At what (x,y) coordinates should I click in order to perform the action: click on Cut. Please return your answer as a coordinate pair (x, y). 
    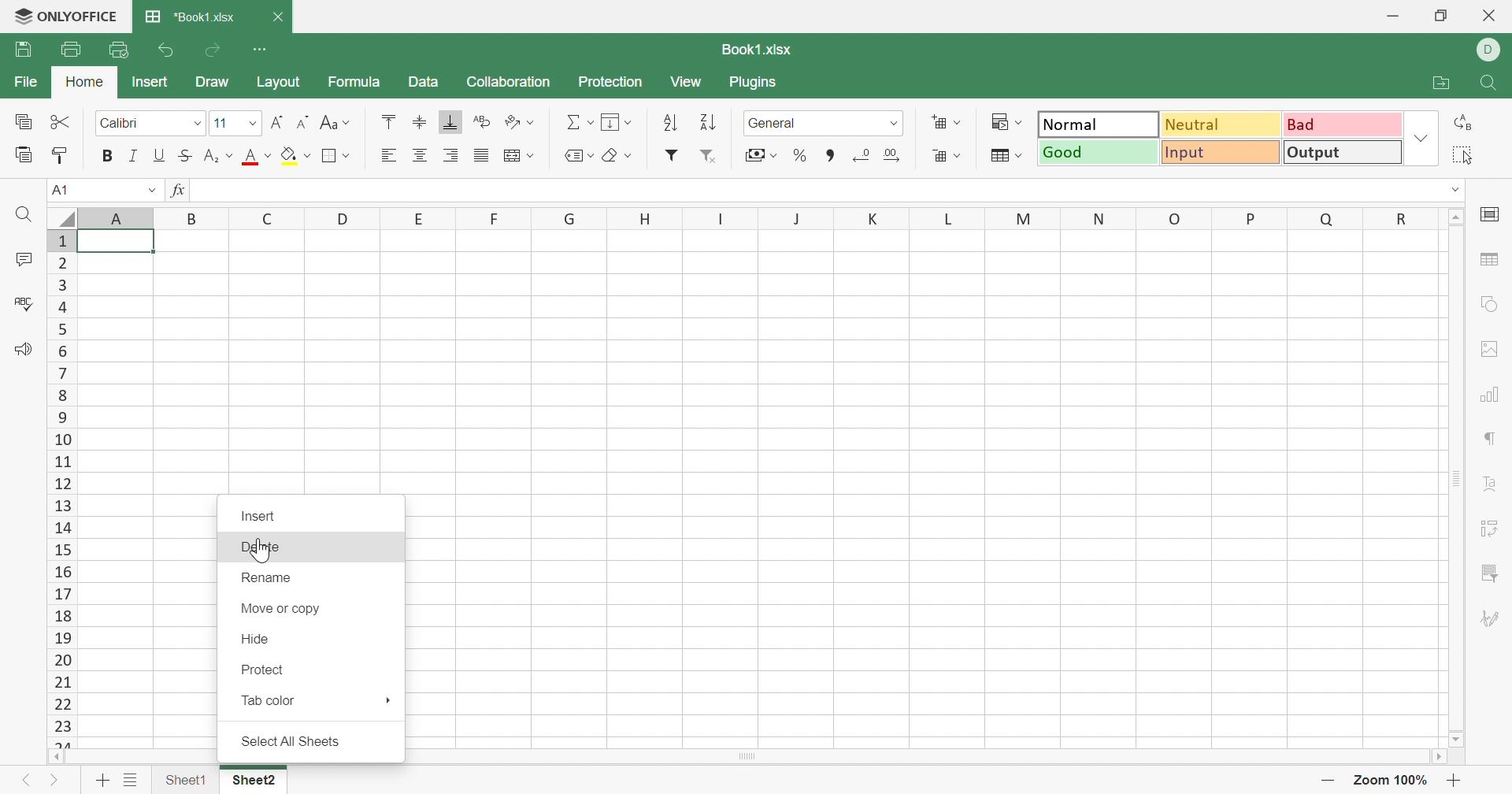
    Looking at the image, I should click on (61, 121).